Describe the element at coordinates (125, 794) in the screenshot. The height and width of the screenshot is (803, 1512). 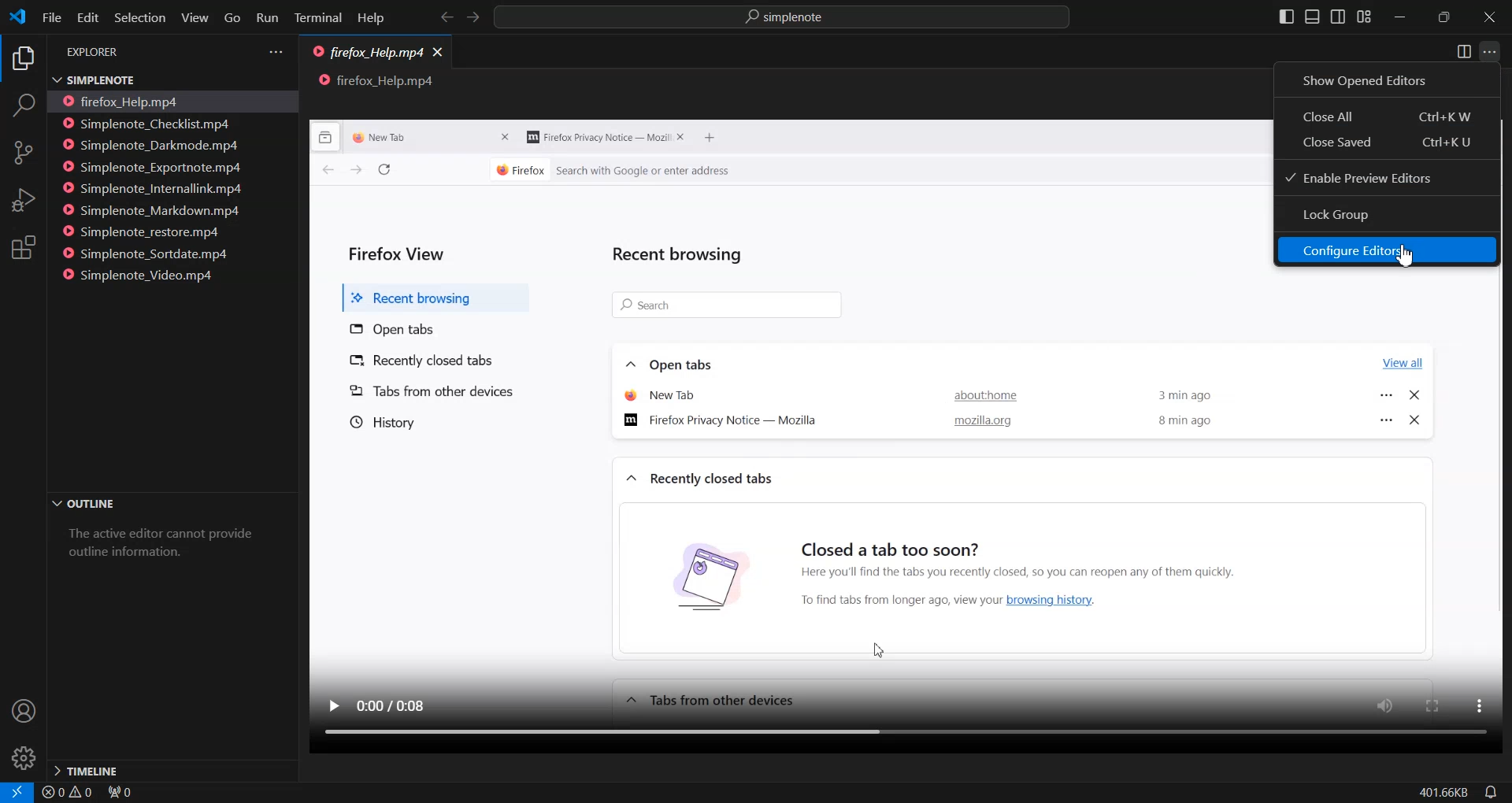
I see `No Port Forwarded` at that location.